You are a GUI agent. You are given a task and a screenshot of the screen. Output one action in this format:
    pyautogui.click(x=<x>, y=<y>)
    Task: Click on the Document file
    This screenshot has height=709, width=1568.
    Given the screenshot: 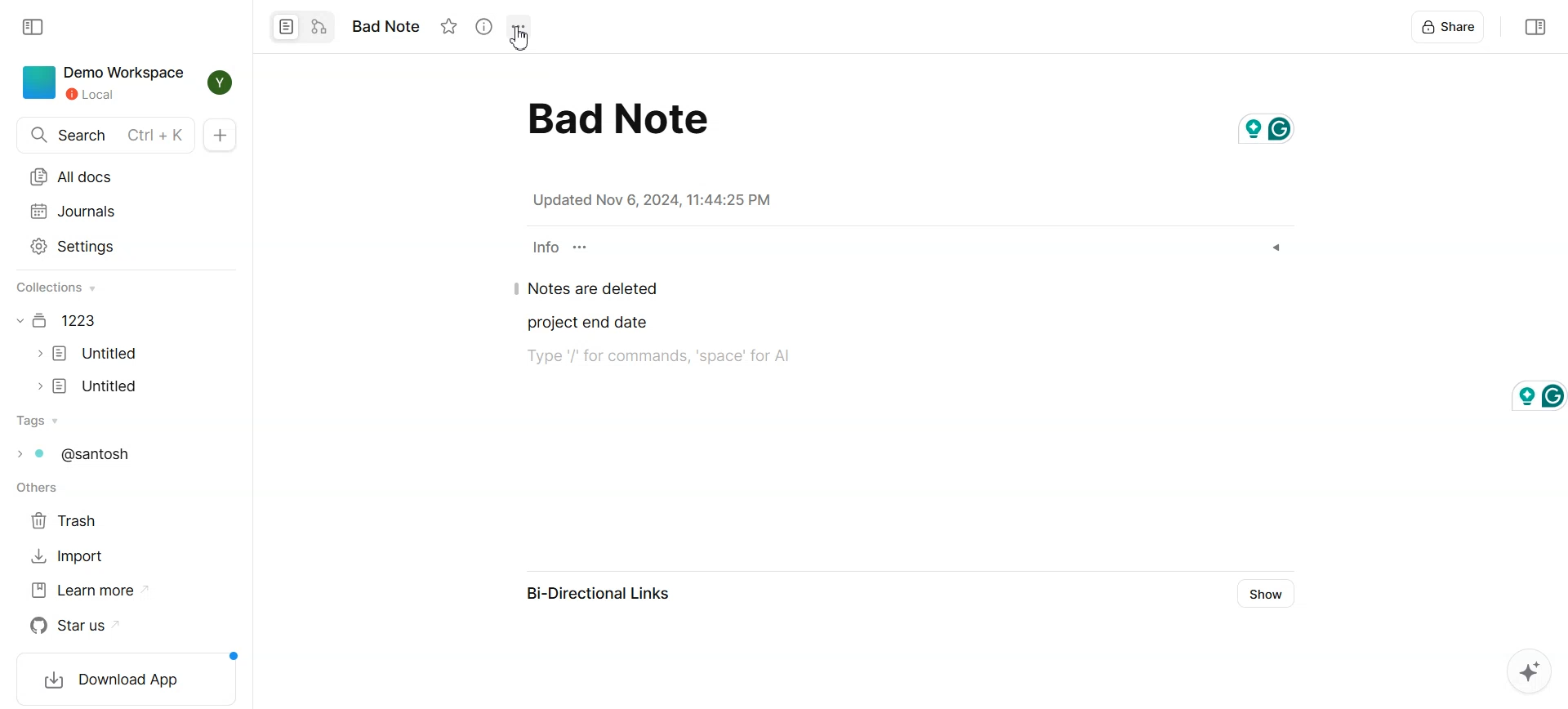 What is the action you would take?
    pyautogui.click(x=89, y=386)
    